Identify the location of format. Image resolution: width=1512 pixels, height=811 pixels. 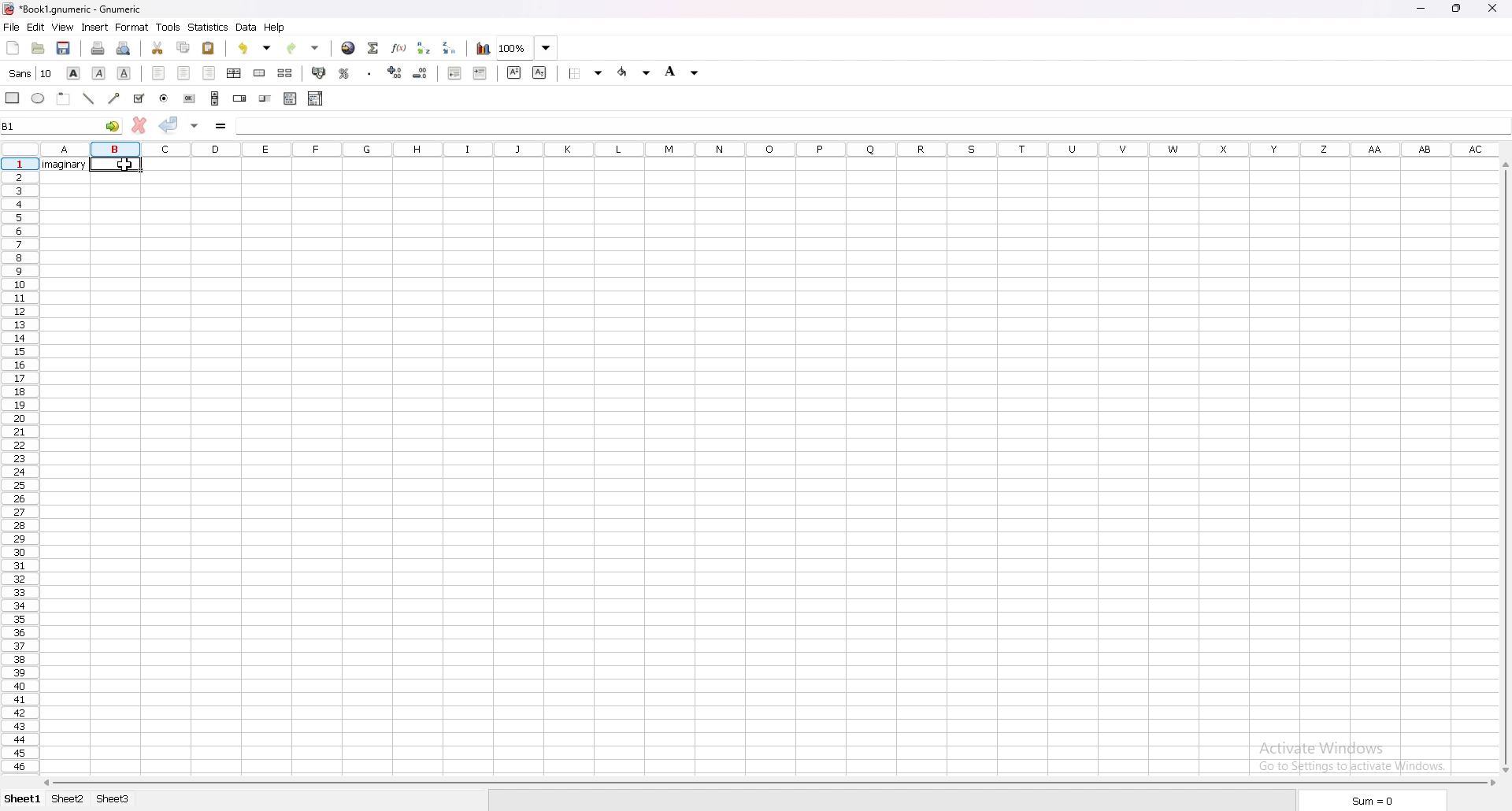
(132, 28).